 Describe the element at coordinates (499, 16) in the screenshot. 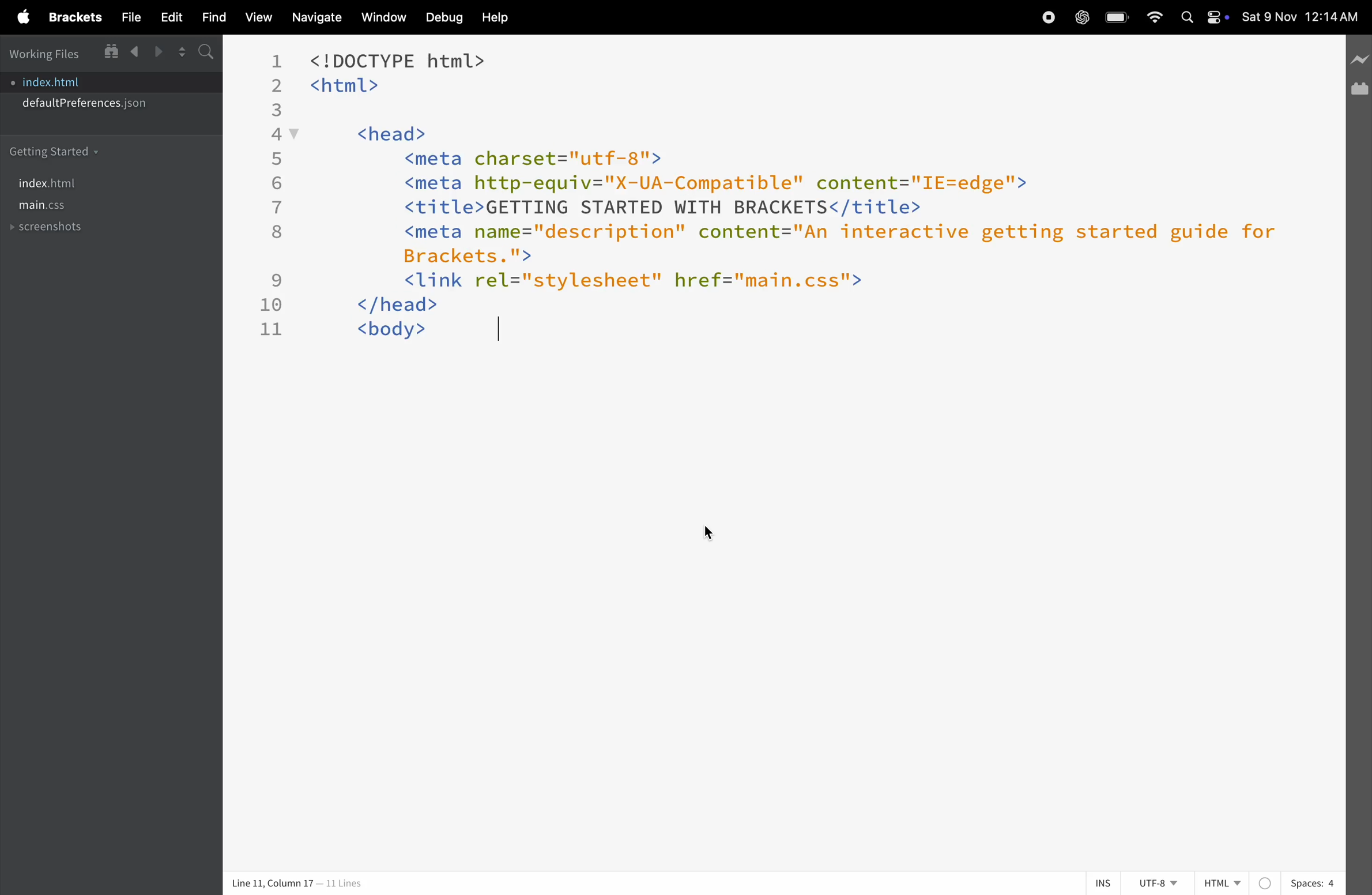

I see `help` at that location.